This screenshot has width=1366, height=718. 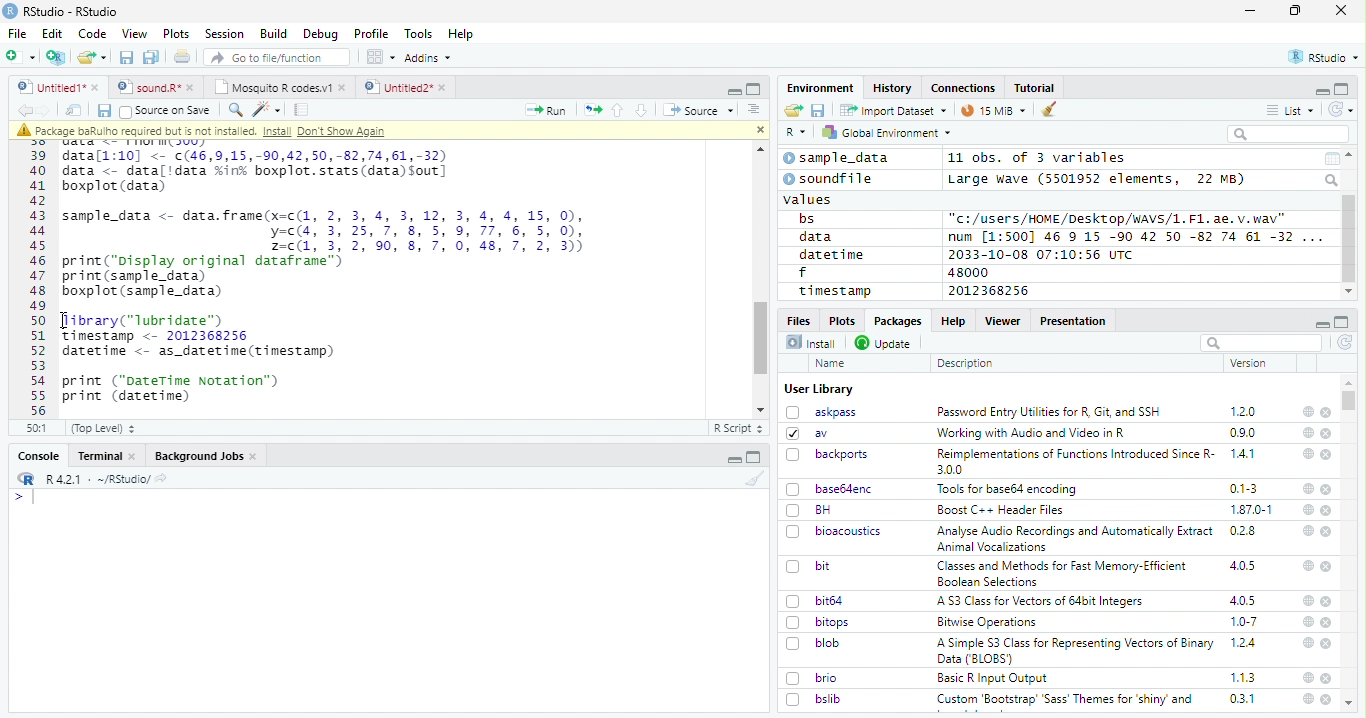 I want to click on 4.0.5, so click(x=1243, y=600).